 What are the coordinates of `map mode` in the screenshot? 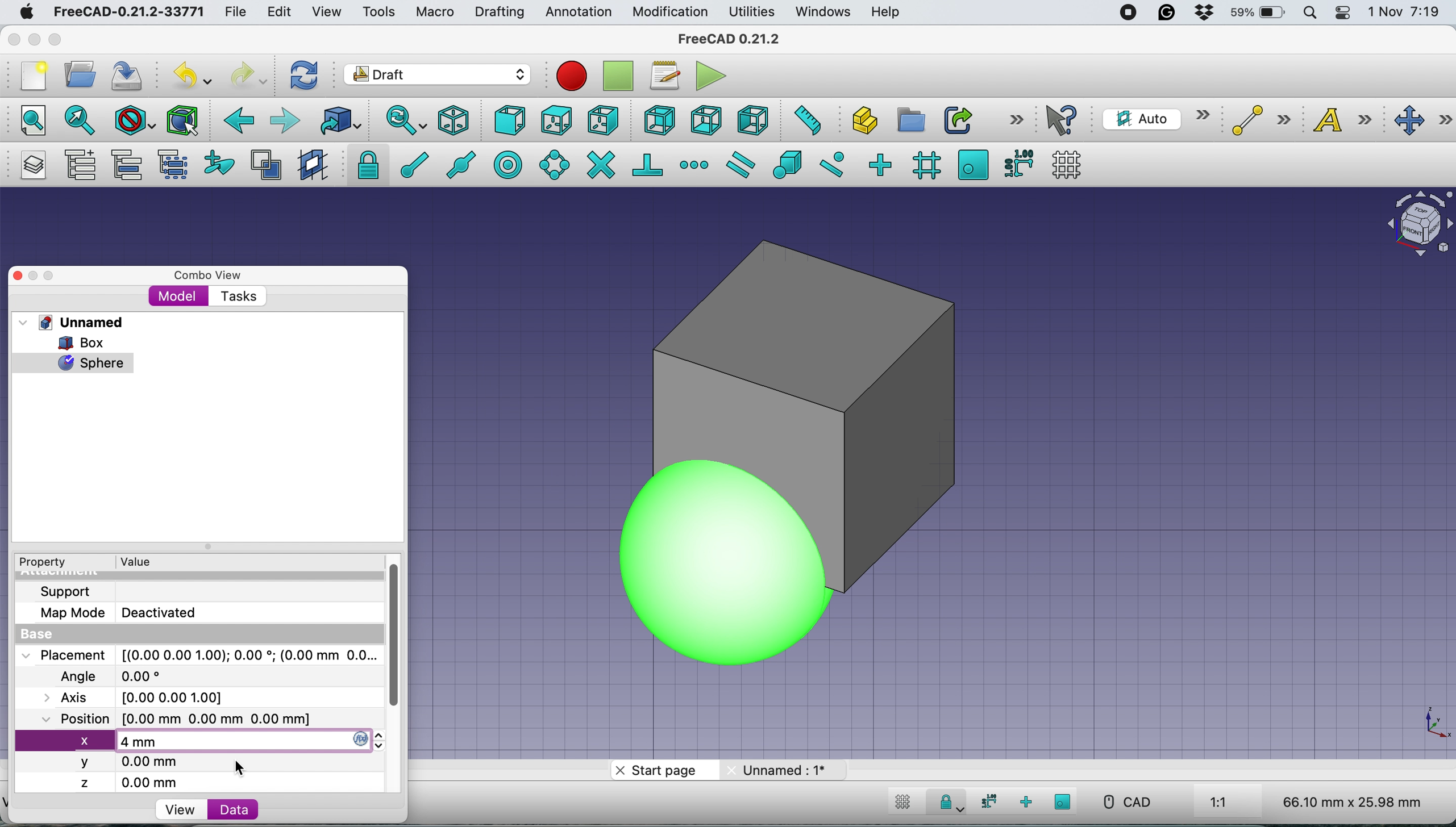 It's located at (125, 612).